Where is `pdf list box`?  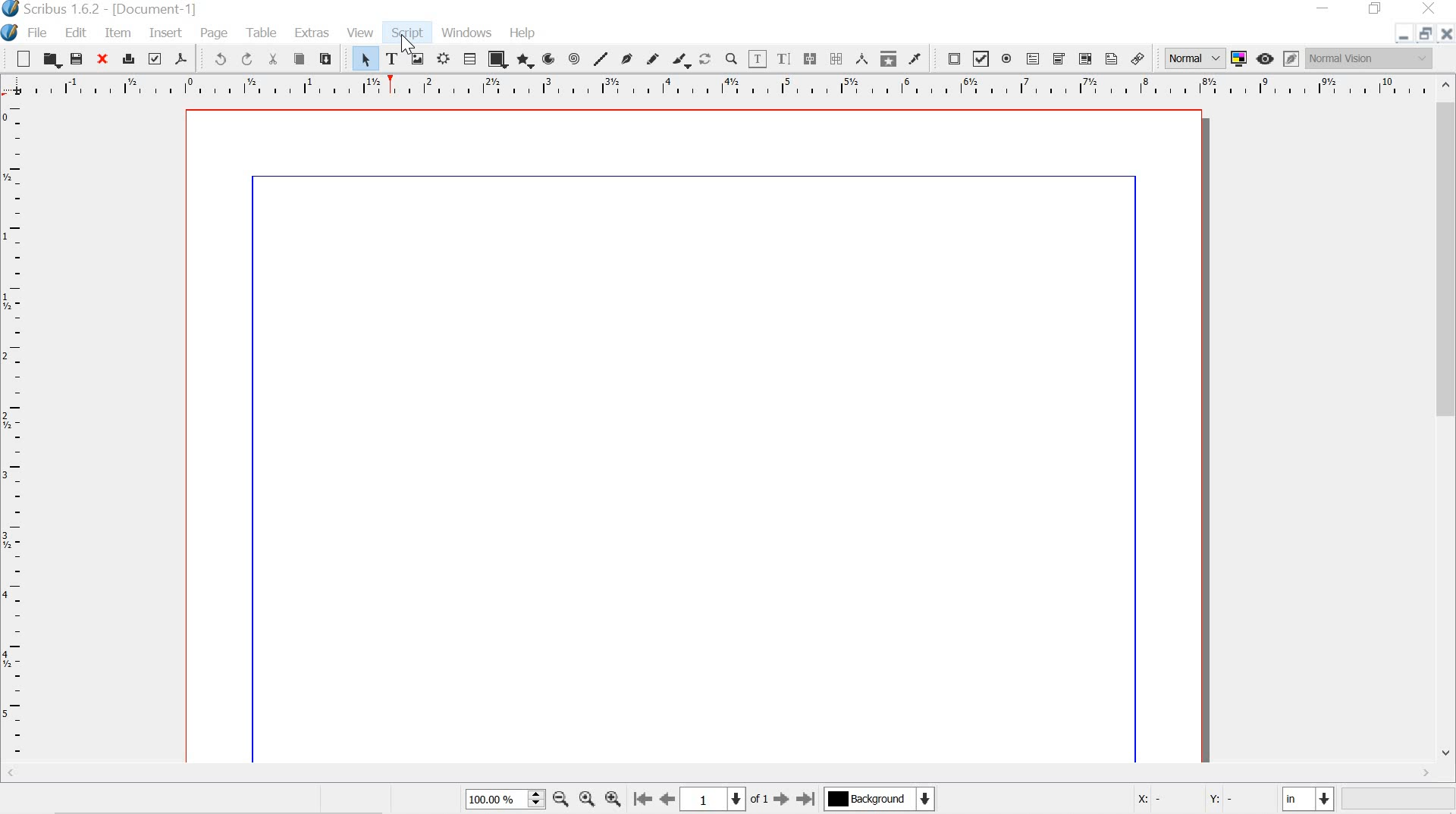 pdf list box is located at coordinates (1083, 59).